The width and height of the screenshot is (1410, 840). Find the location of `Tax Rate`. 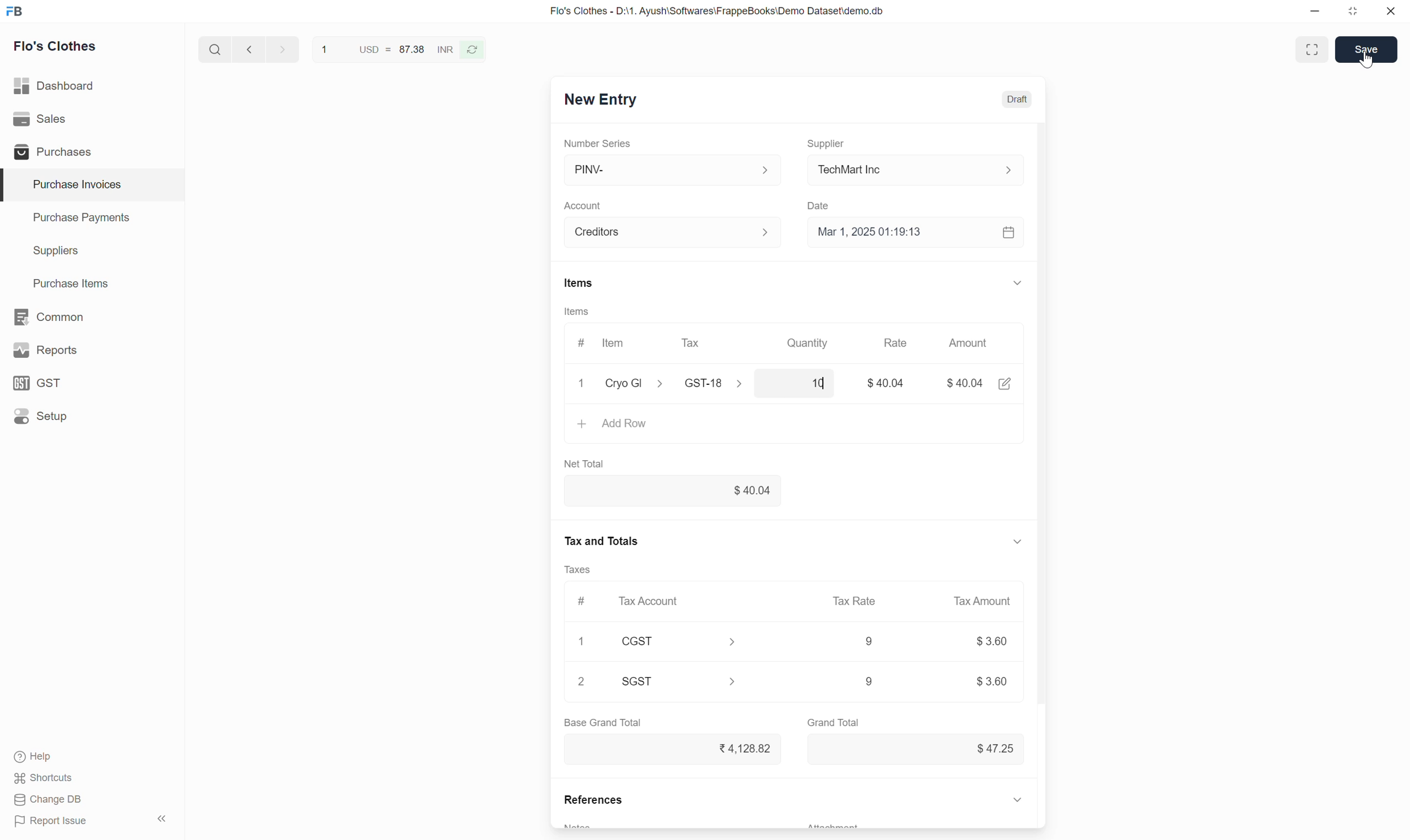

Tax Rate is located at coordinates (857, 600).